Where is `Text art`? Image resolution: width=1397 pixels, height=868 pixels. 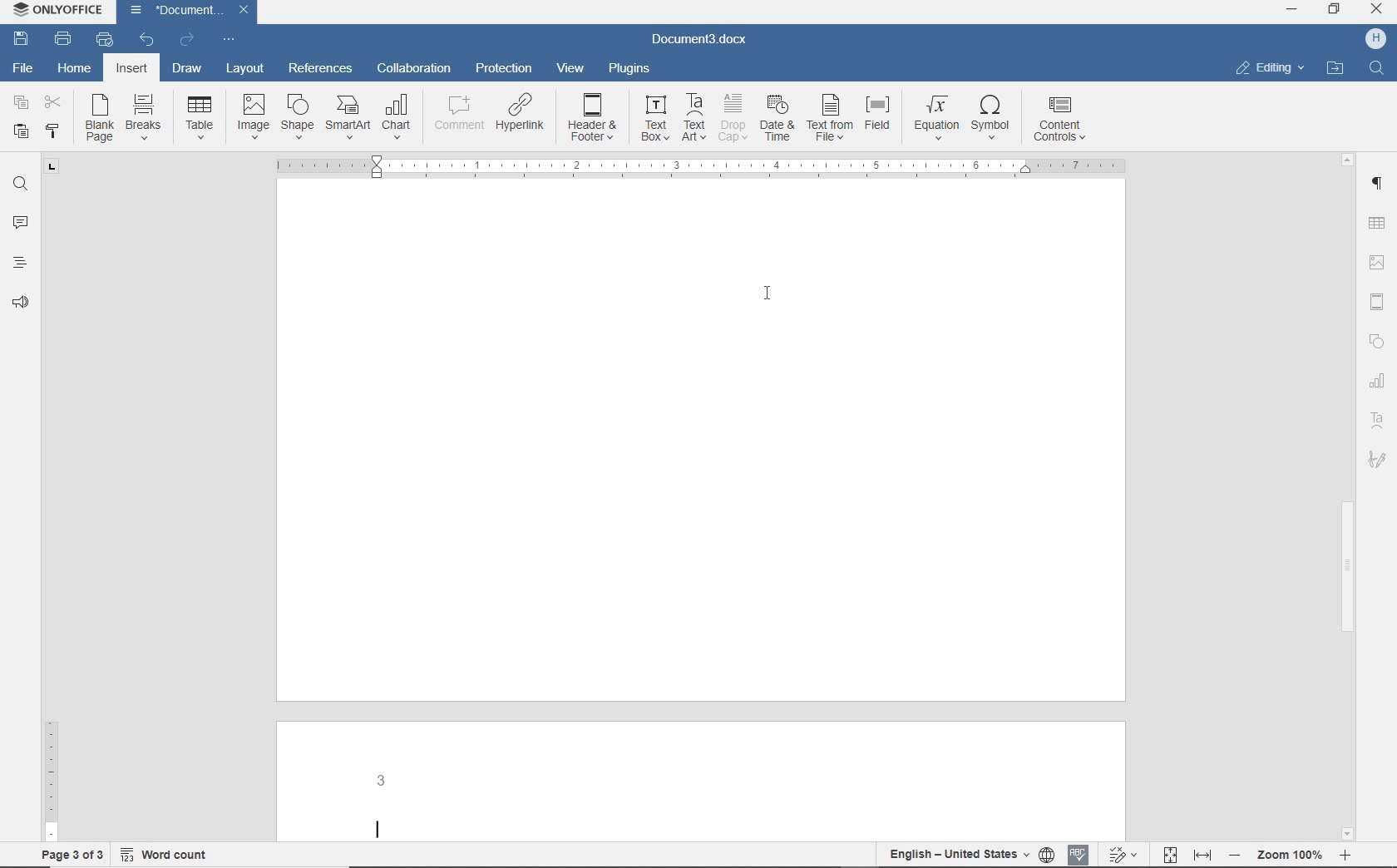 Text art is located at coordinates (1378, 419).